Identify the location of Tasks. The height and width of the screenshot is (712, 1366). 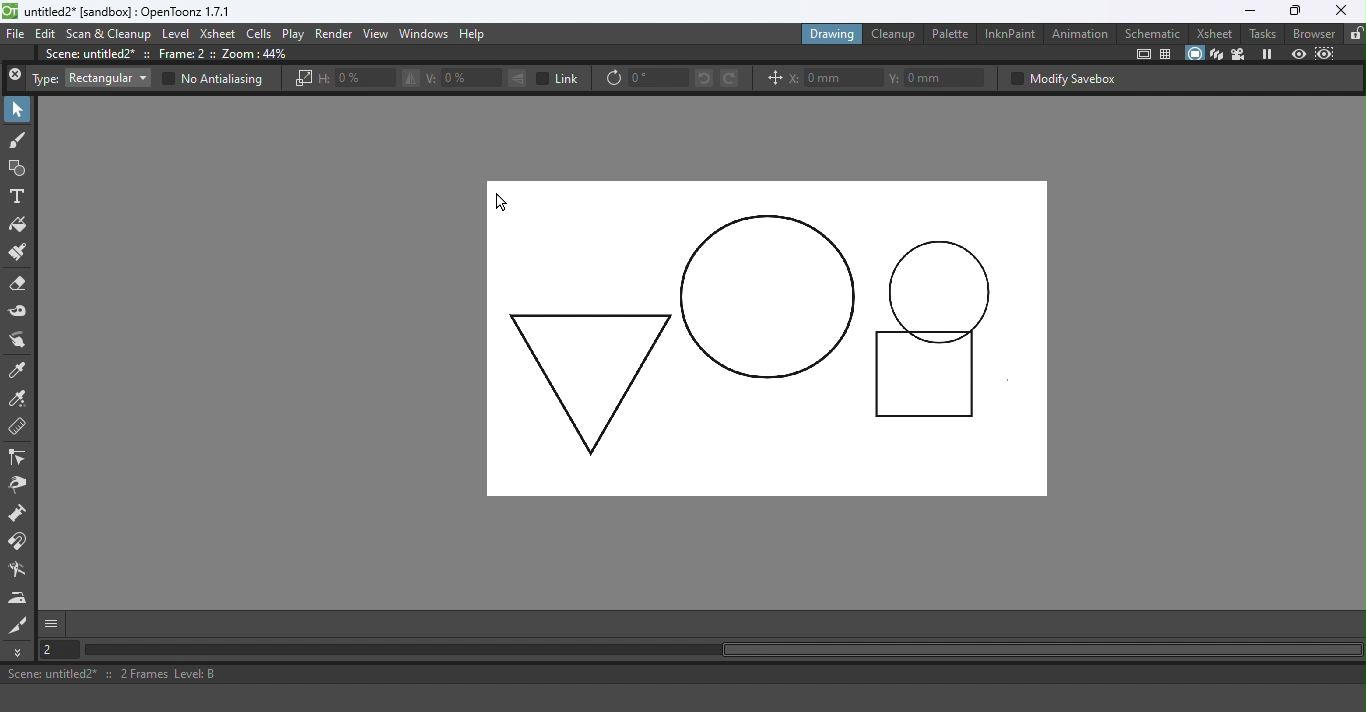
(1262, 33).